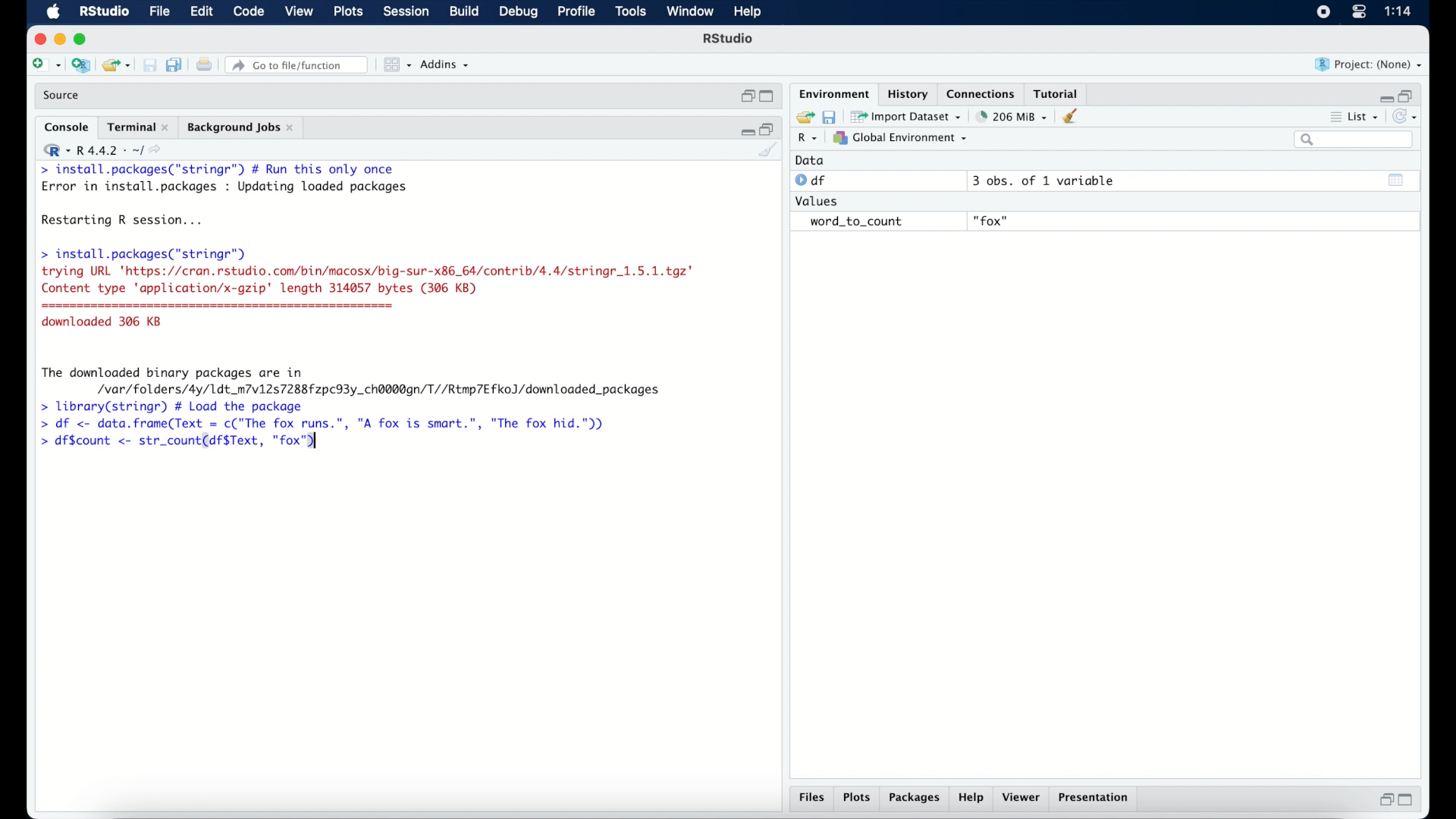 The image size is (1456, 819). What do you see at coordinates (906, 94) in the screenshot?
I see `history` at bounding box center [906, 94].